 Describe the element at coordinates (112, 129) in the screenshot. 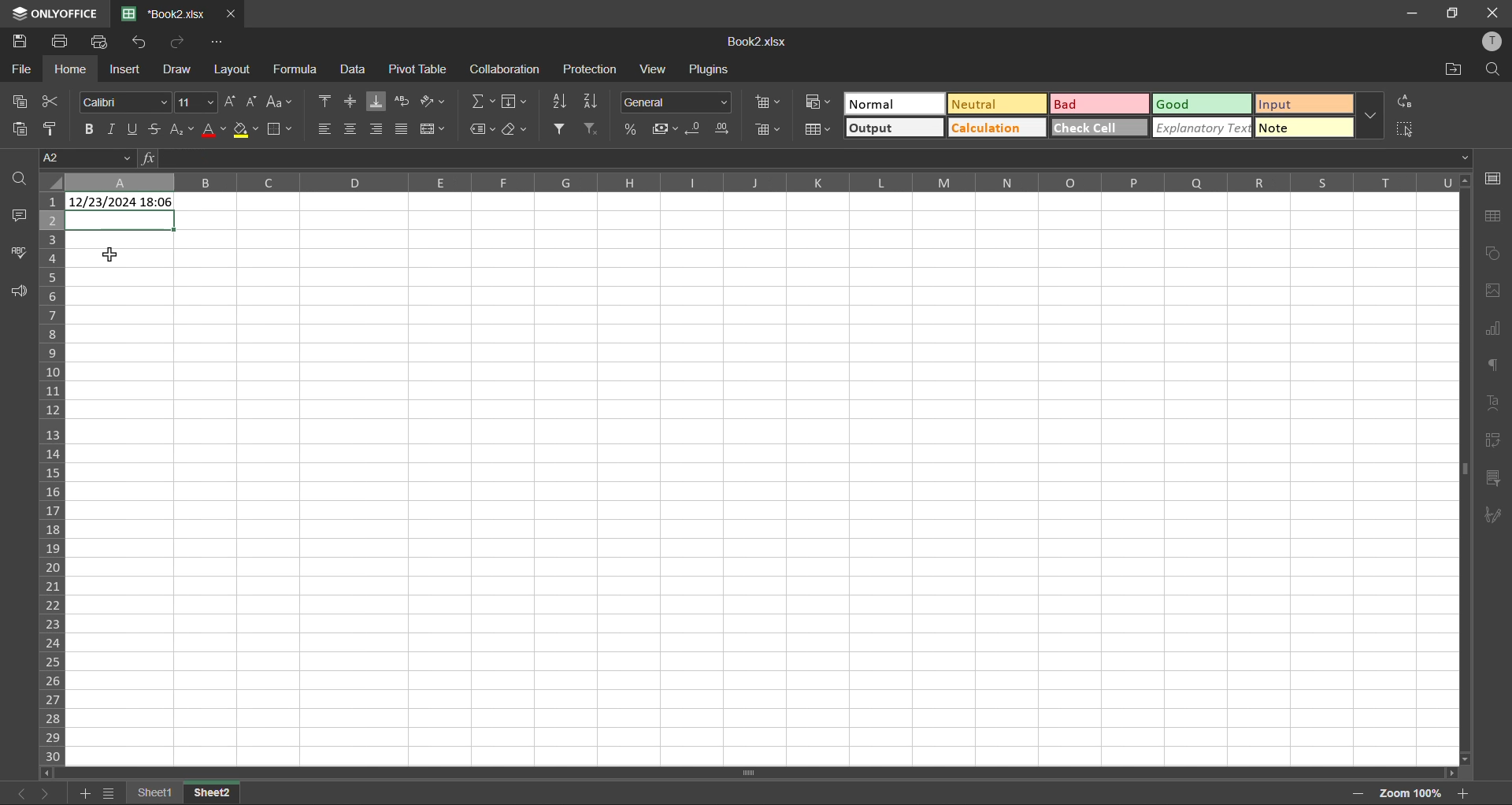

I see `italic` at that location.